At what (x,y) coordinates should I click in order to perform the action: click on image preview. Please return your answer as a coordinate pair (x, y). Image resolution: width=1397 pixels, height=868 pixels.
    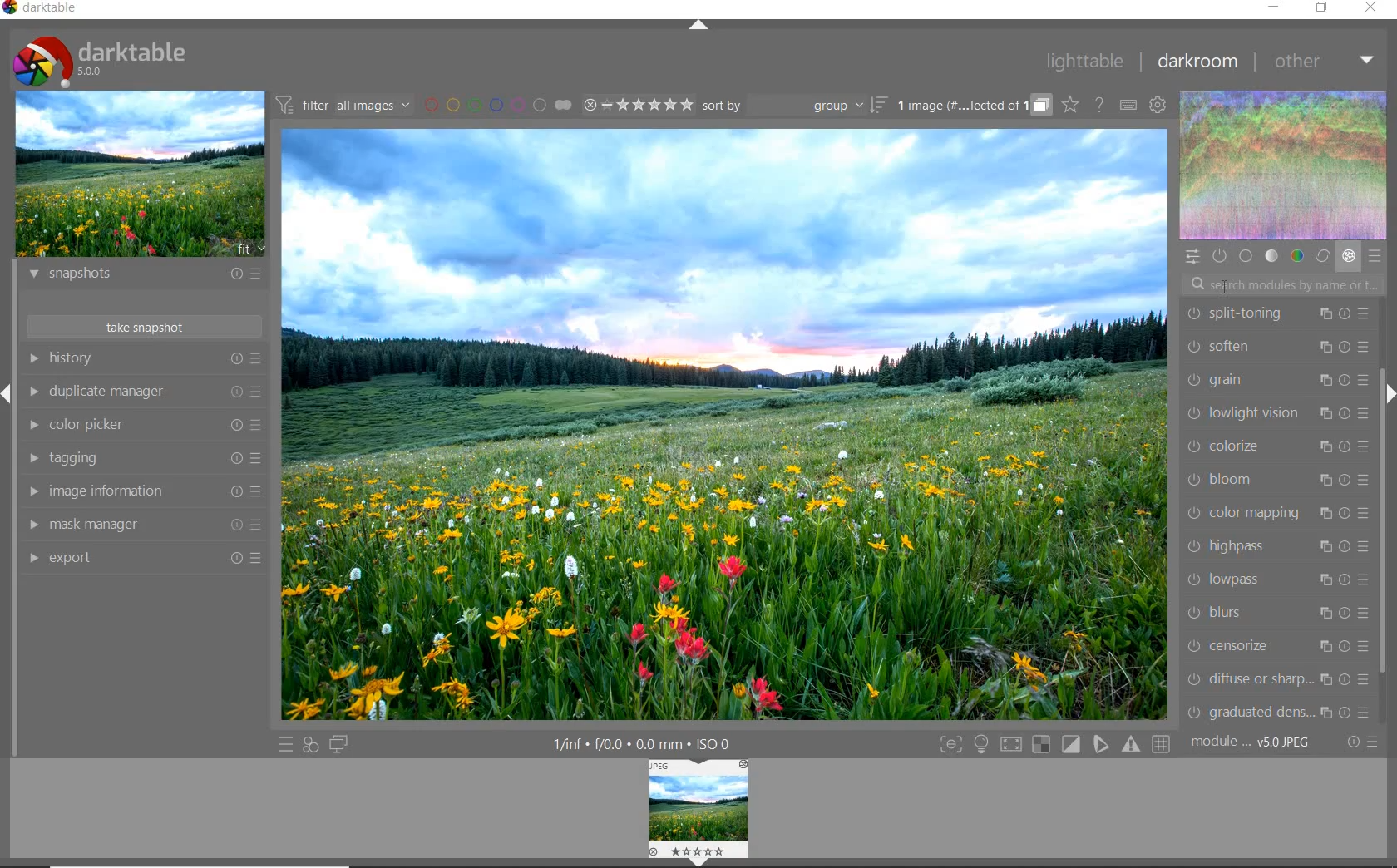
    Looking at the image, I should click on (140, 176).